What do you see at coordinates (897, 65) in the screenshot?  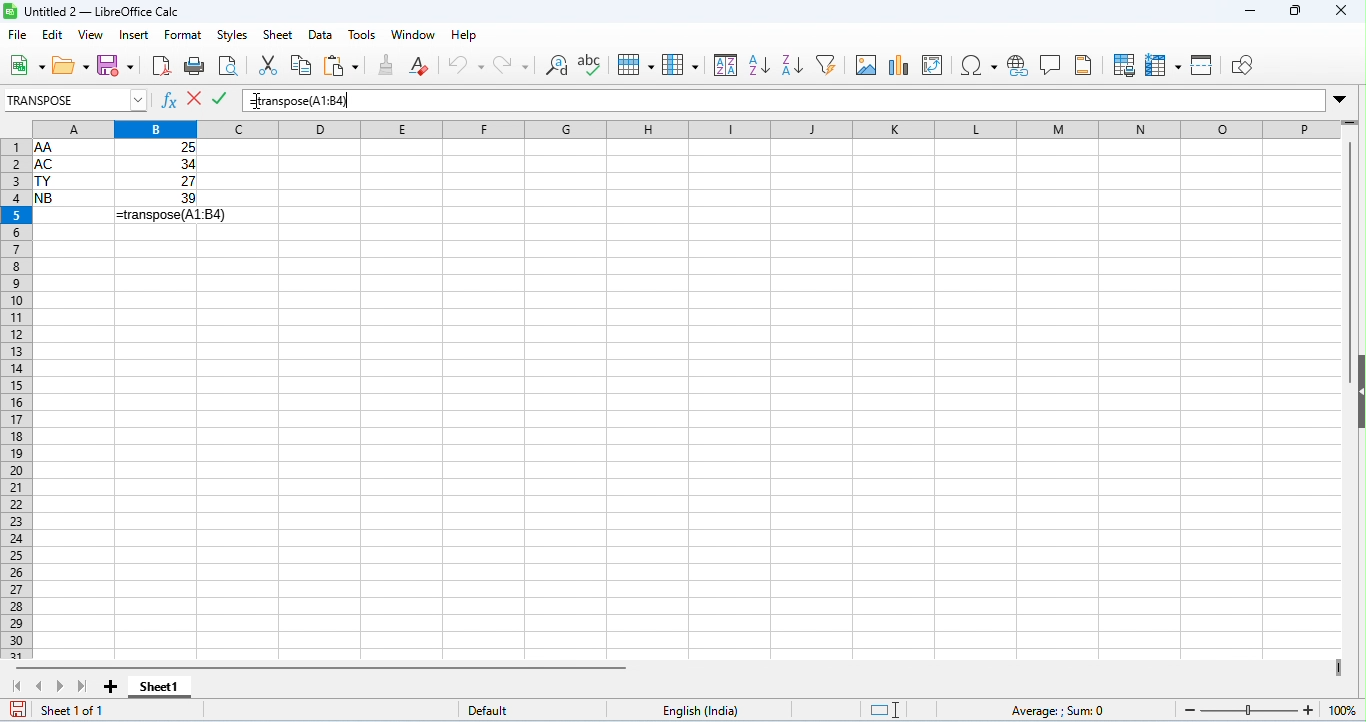 I see `insert chart` at bounding box center [897, 65].